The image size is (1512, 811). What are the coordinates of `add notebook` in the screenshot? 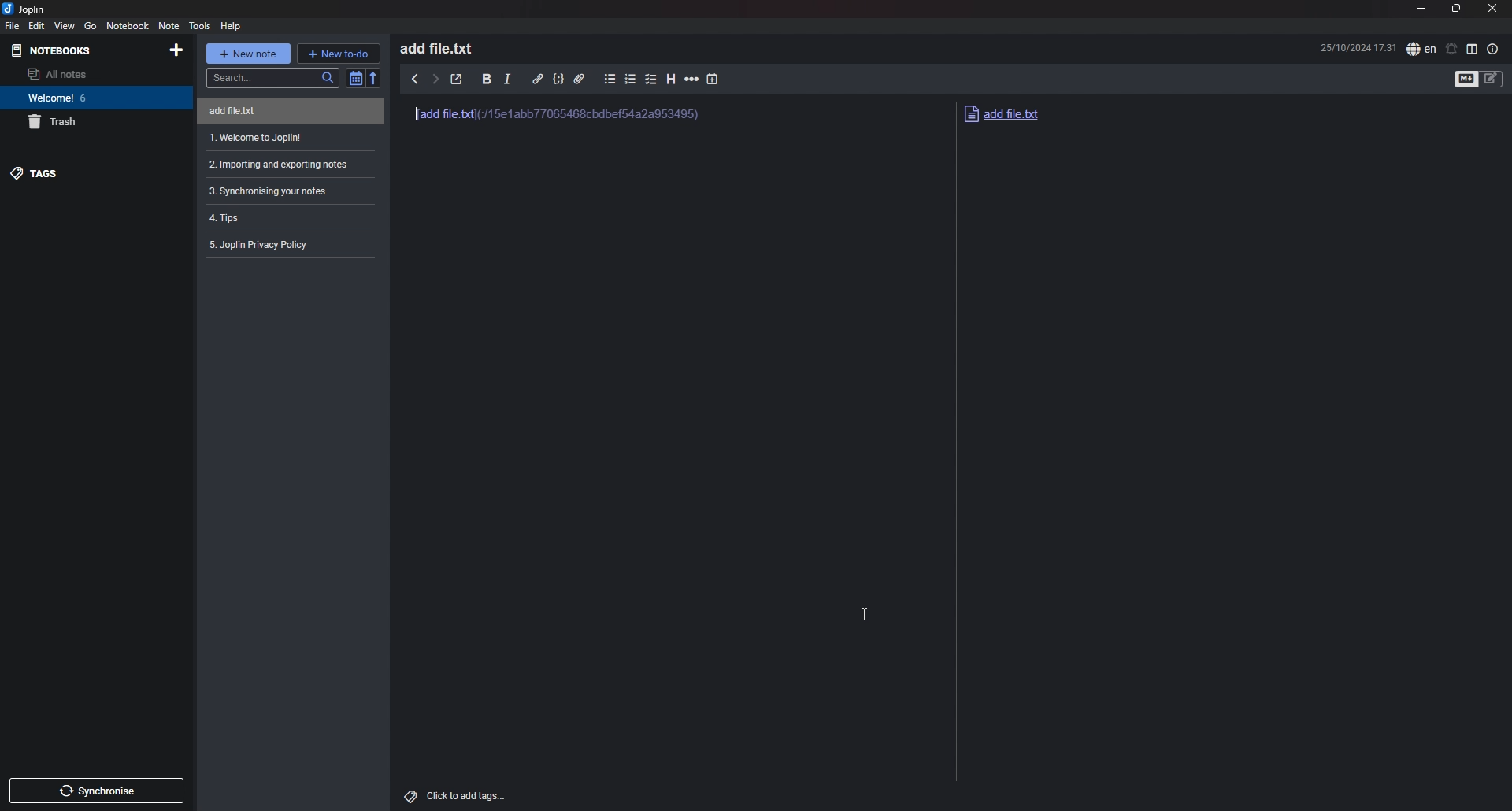 It's located at (176, 50).